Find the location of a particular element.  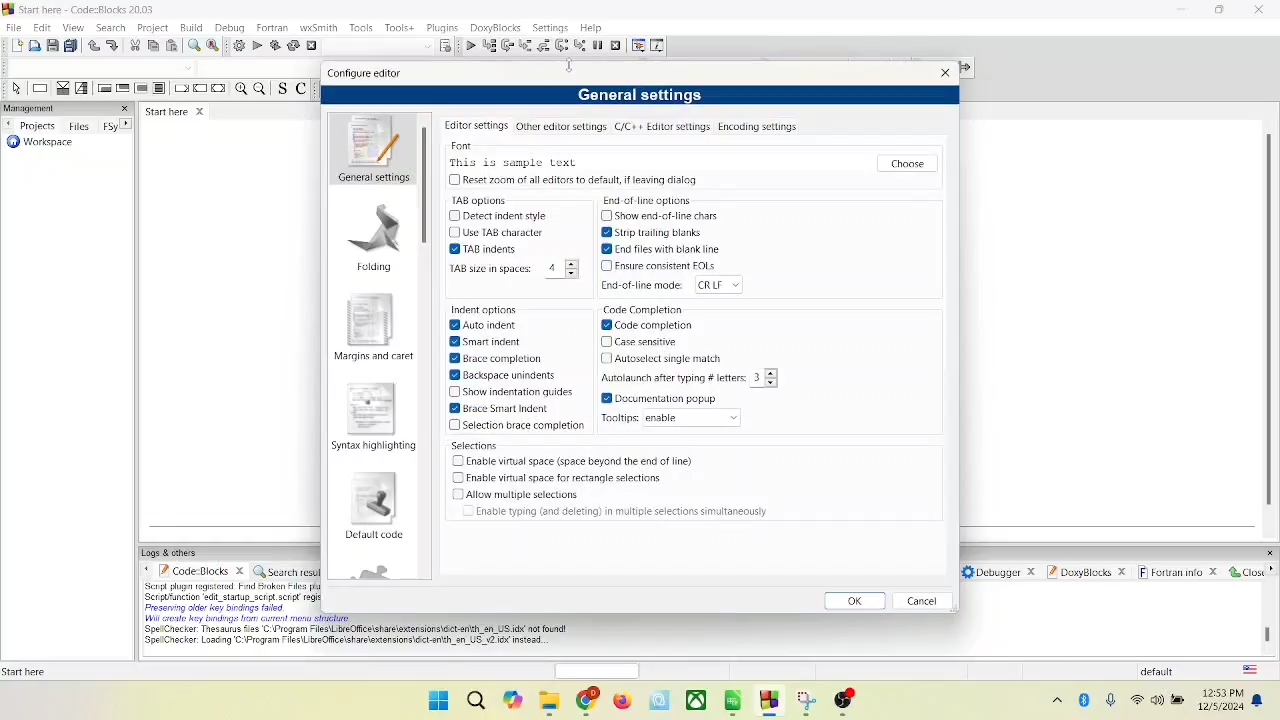

zoom in is located at coordinates (241, 91).